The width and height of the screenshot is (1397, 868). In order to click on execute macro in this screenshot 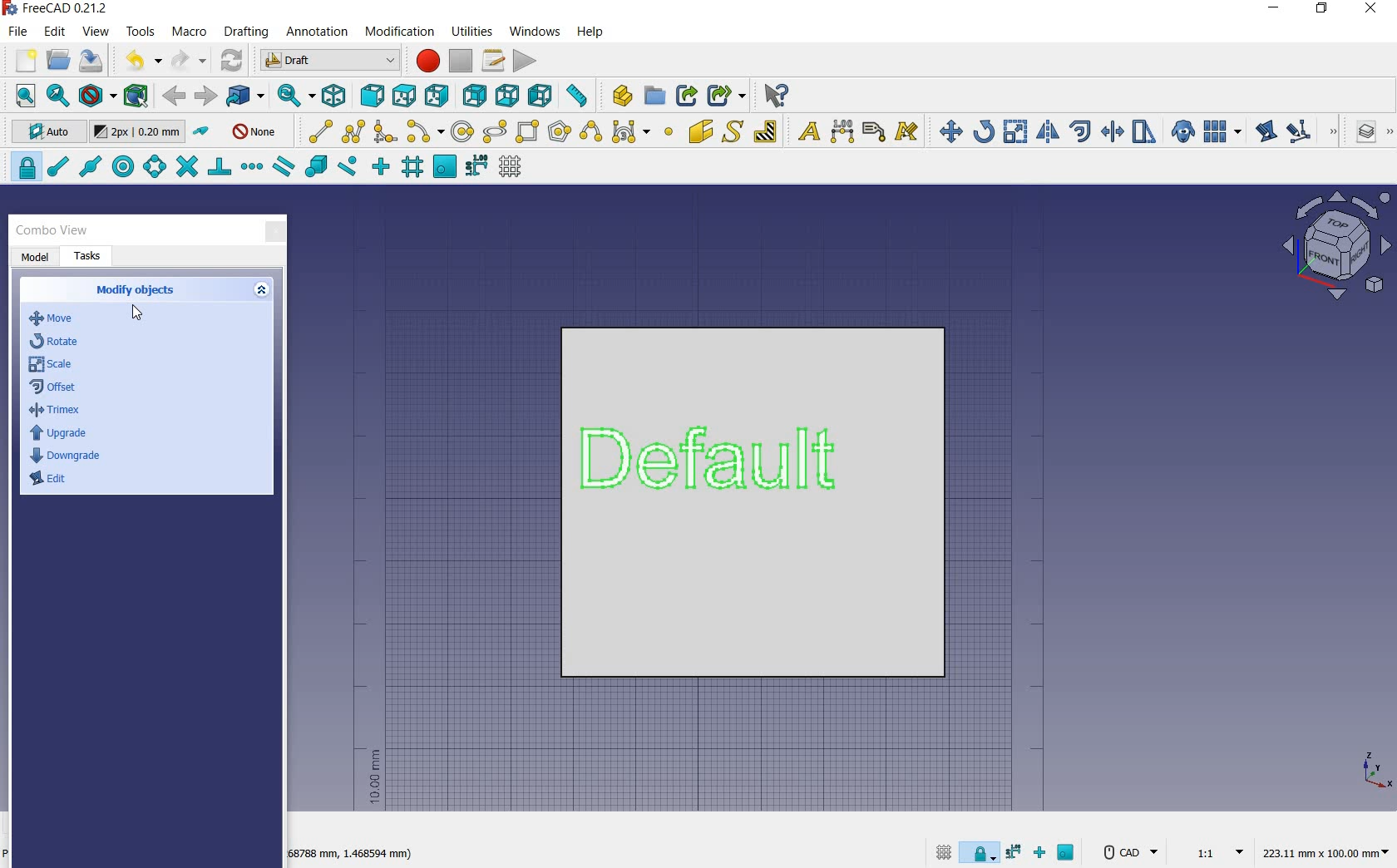, I will do `click(526, 61)`.